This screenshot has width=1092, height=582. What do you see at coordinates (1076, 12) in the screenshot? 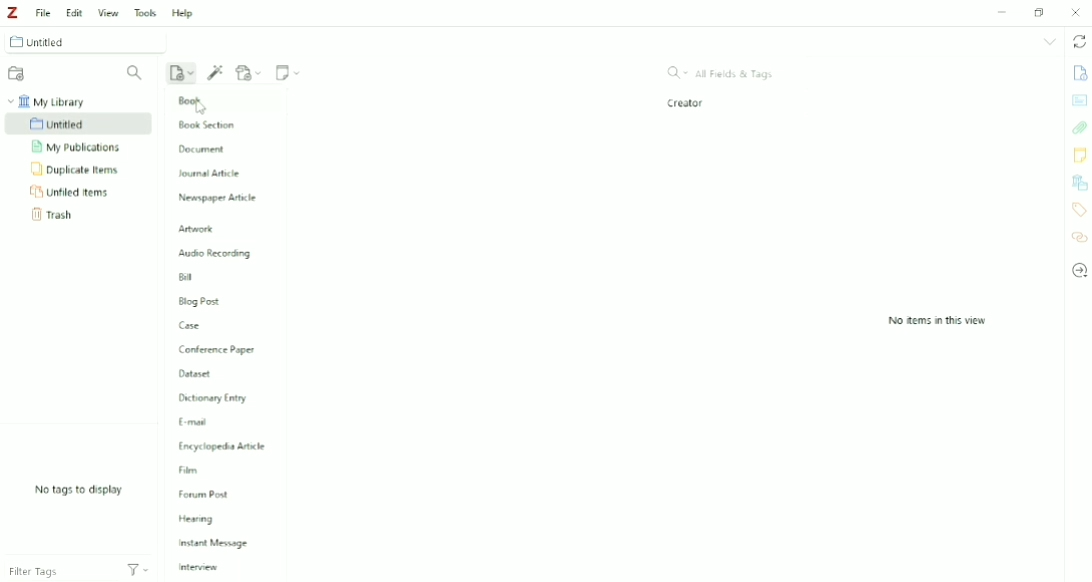
I see `Close` at bounding box center [1076, 12].